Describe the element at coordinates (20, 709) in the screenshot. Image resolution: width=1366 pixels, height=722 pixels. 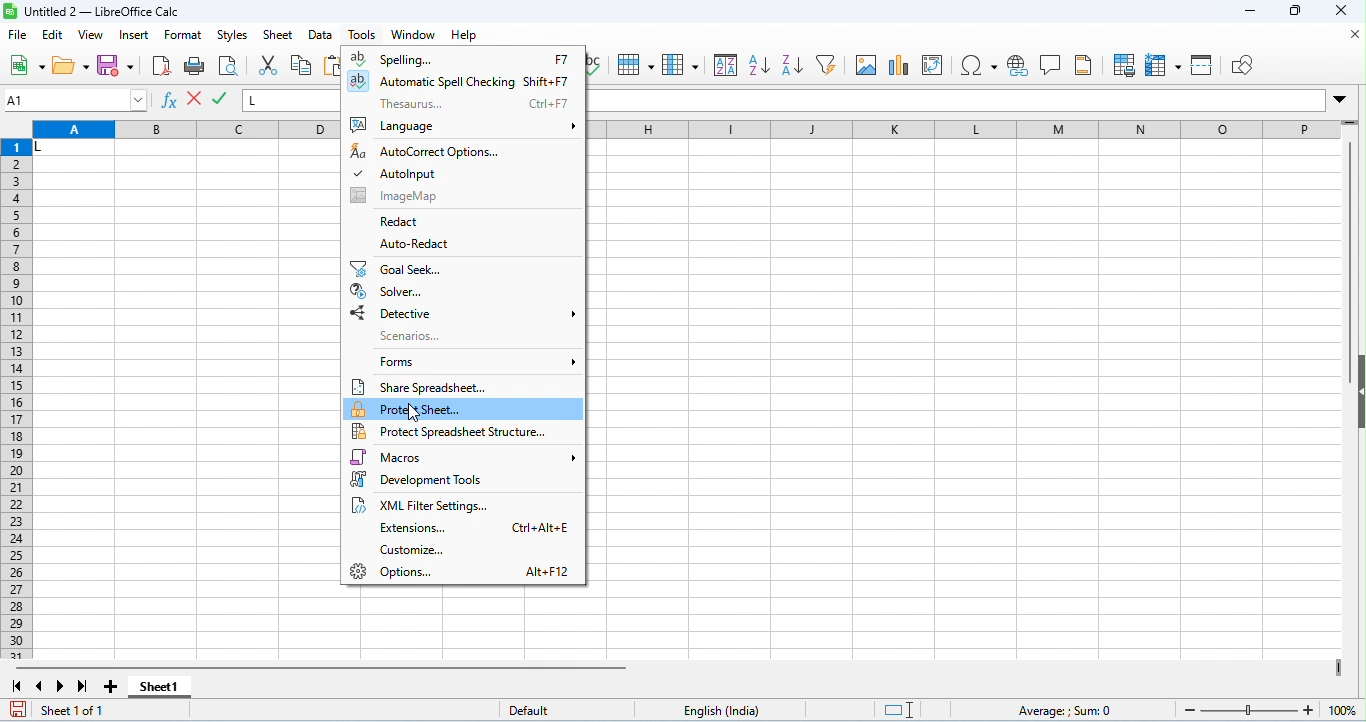
I see `save` at that location.